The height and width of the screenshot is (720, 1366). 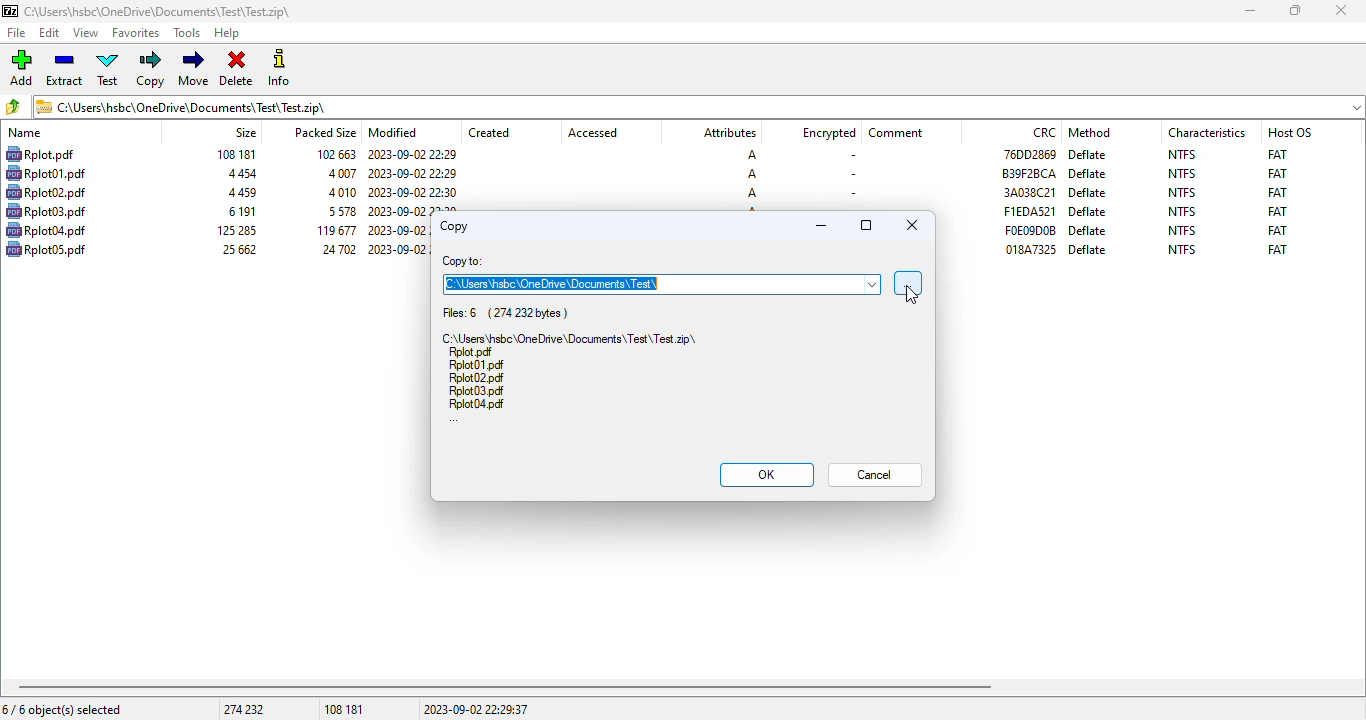 What do you see at coordinates (234, 230) in the screenshot?
I see `size` at bounding box center [234, 230].